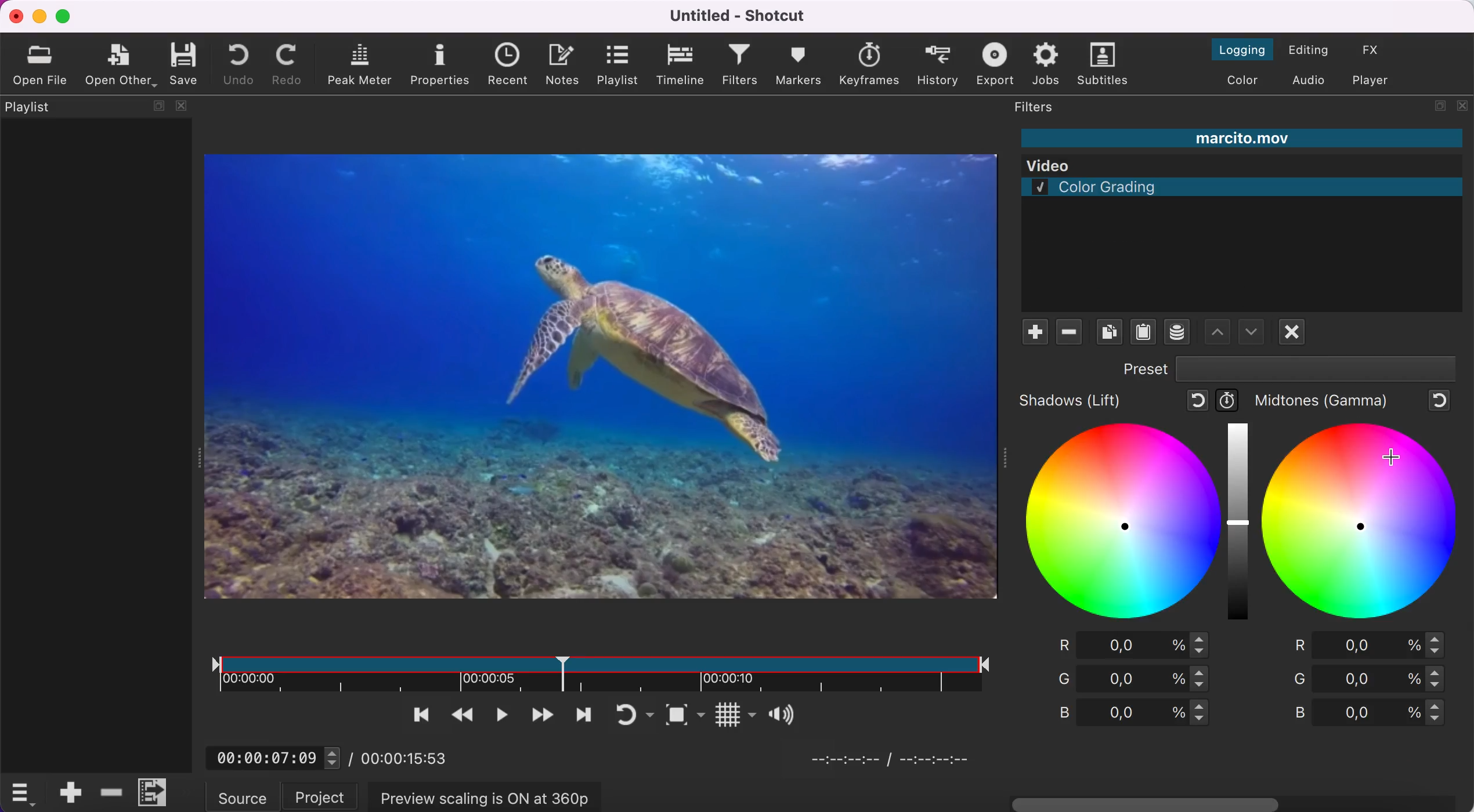  Describe the element at coordinates (1312, 50) in the screenshot. I see `switch to the editing layout` at that location.